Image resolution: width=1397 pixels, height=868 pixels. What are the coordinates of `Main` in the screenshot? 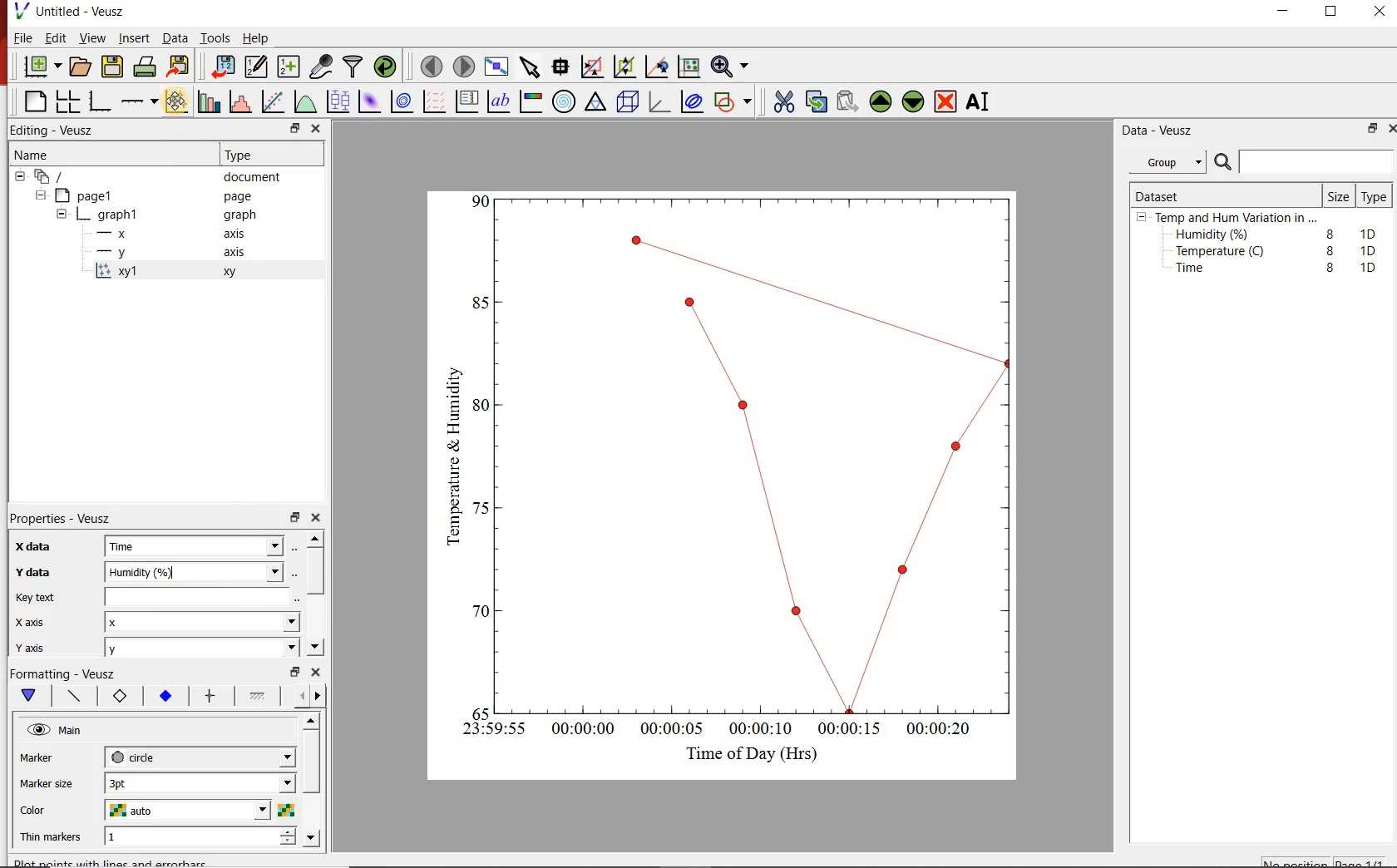 It's located at (82, 732).